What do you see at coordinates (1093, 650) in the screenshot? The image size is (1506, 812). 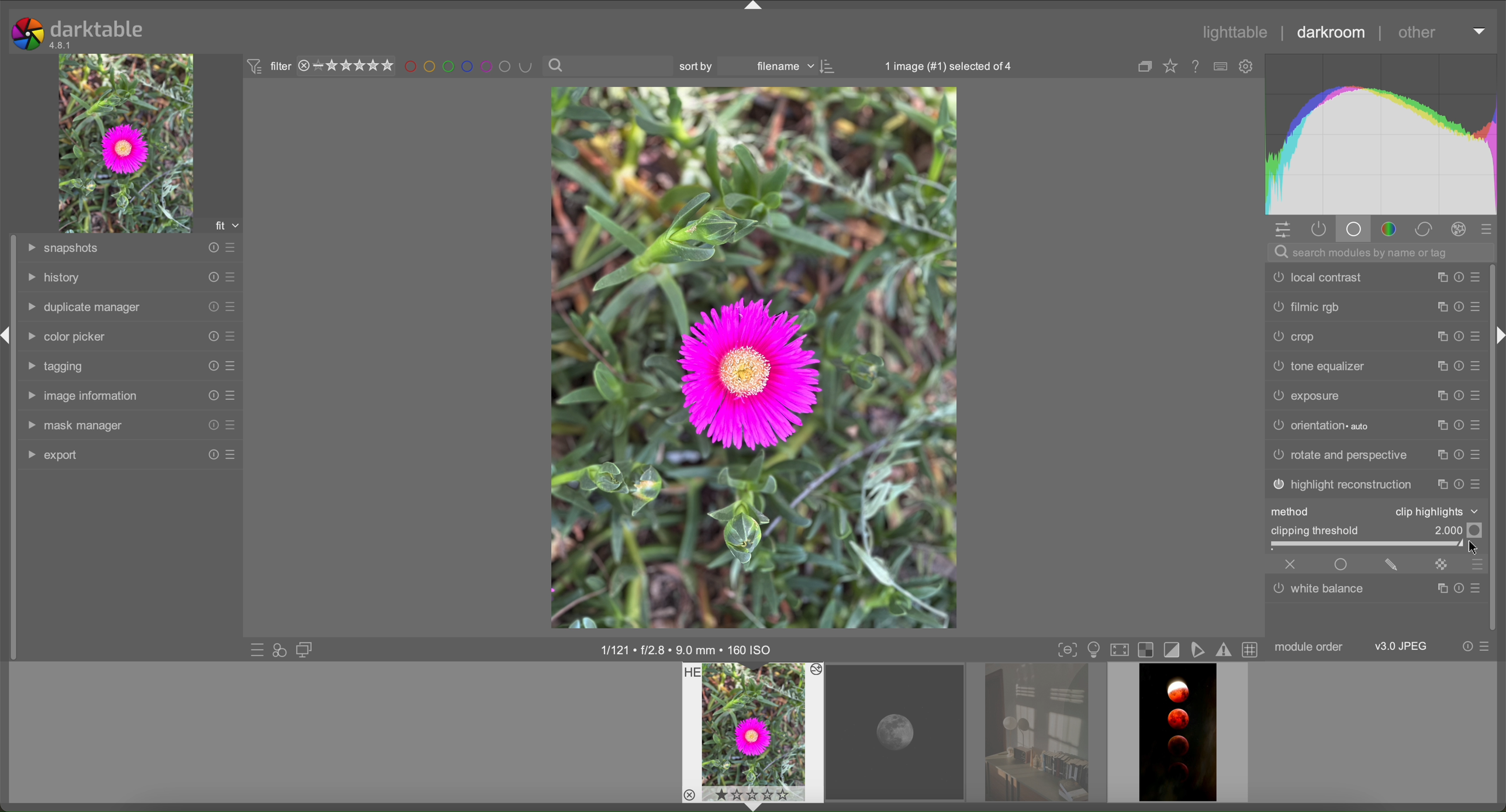 I see `display mode` at bounding box center [1093, 650].